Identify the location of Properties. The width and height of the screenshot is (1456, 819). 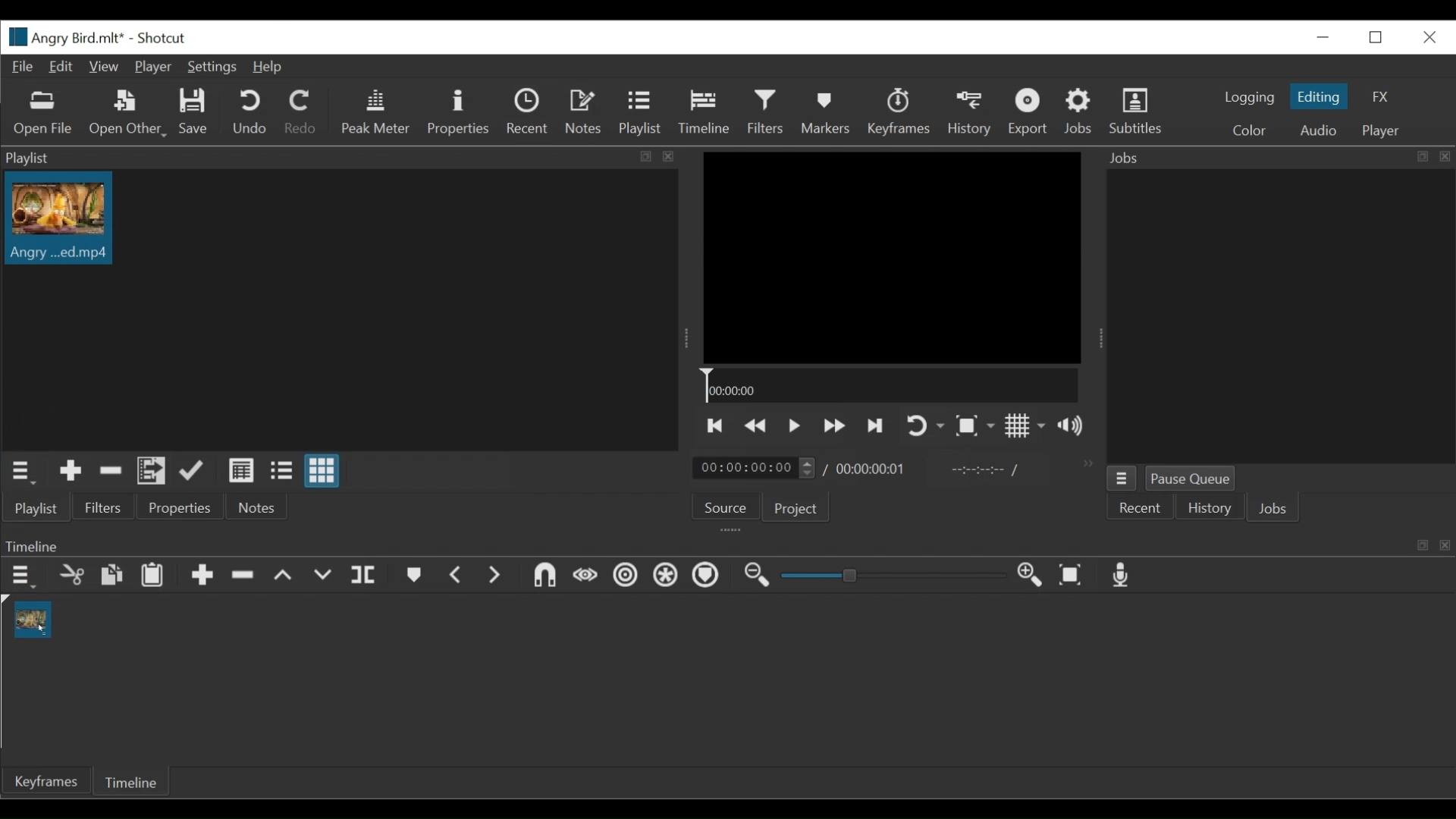
(179, 507).